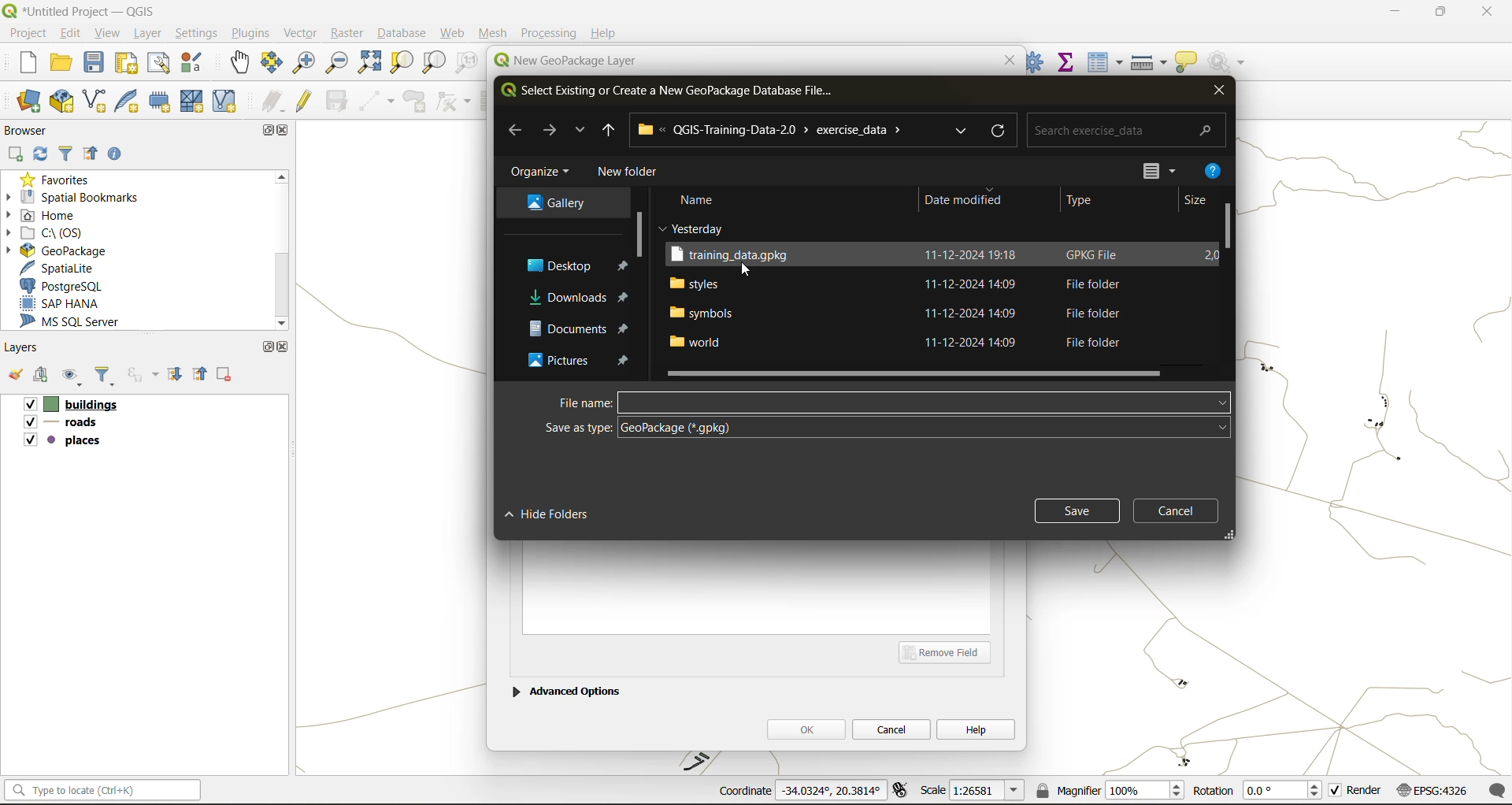 The height and width of the screenshot is (805, 1512). I want to click on Up arrow, so click(608, 130).